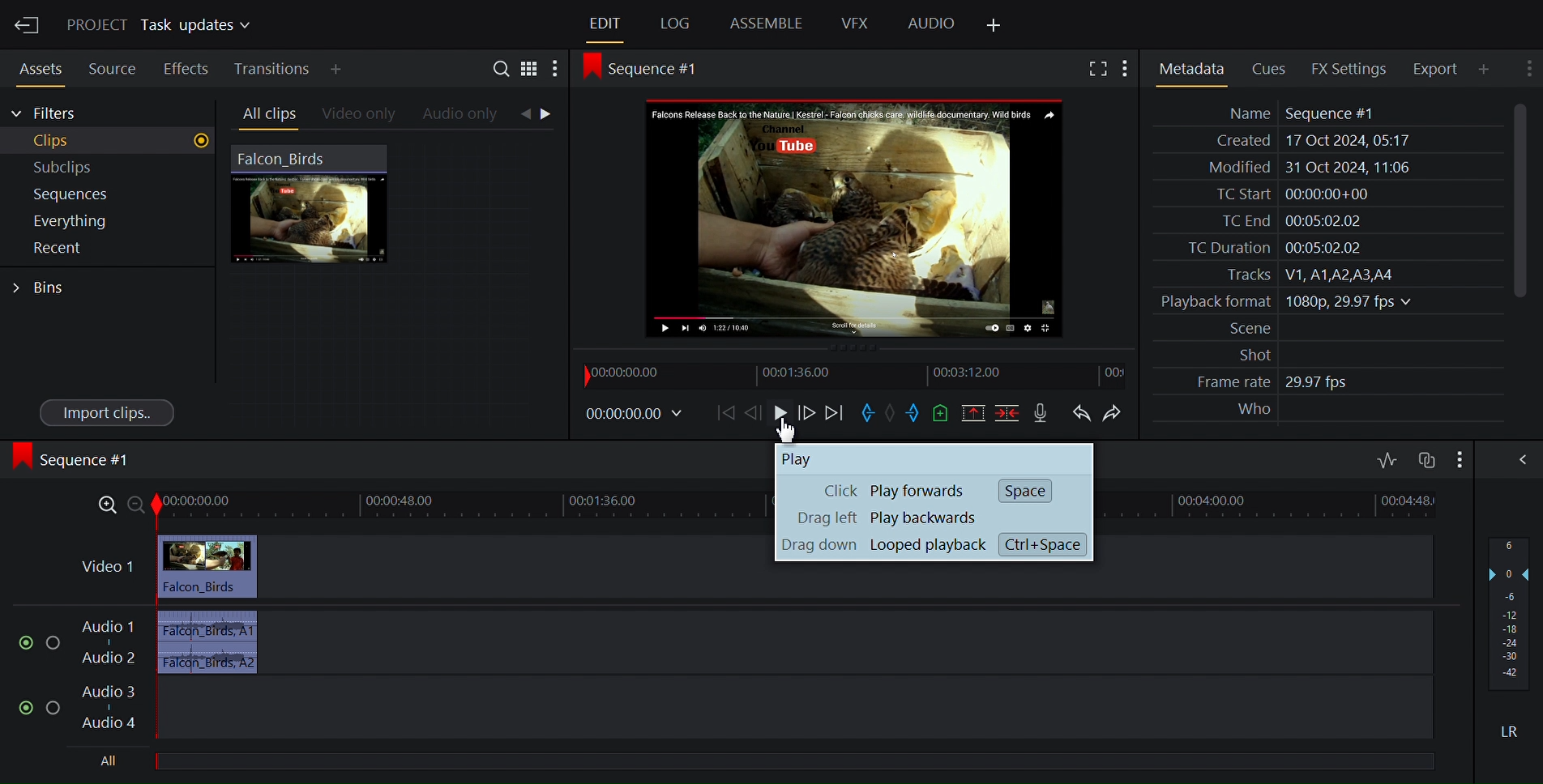 The width and height of the screenshot is (1543, 784). Describe the element at coordinates (1386, 458) in the screenshot. I see `Toggle audio editing levels` at that location.